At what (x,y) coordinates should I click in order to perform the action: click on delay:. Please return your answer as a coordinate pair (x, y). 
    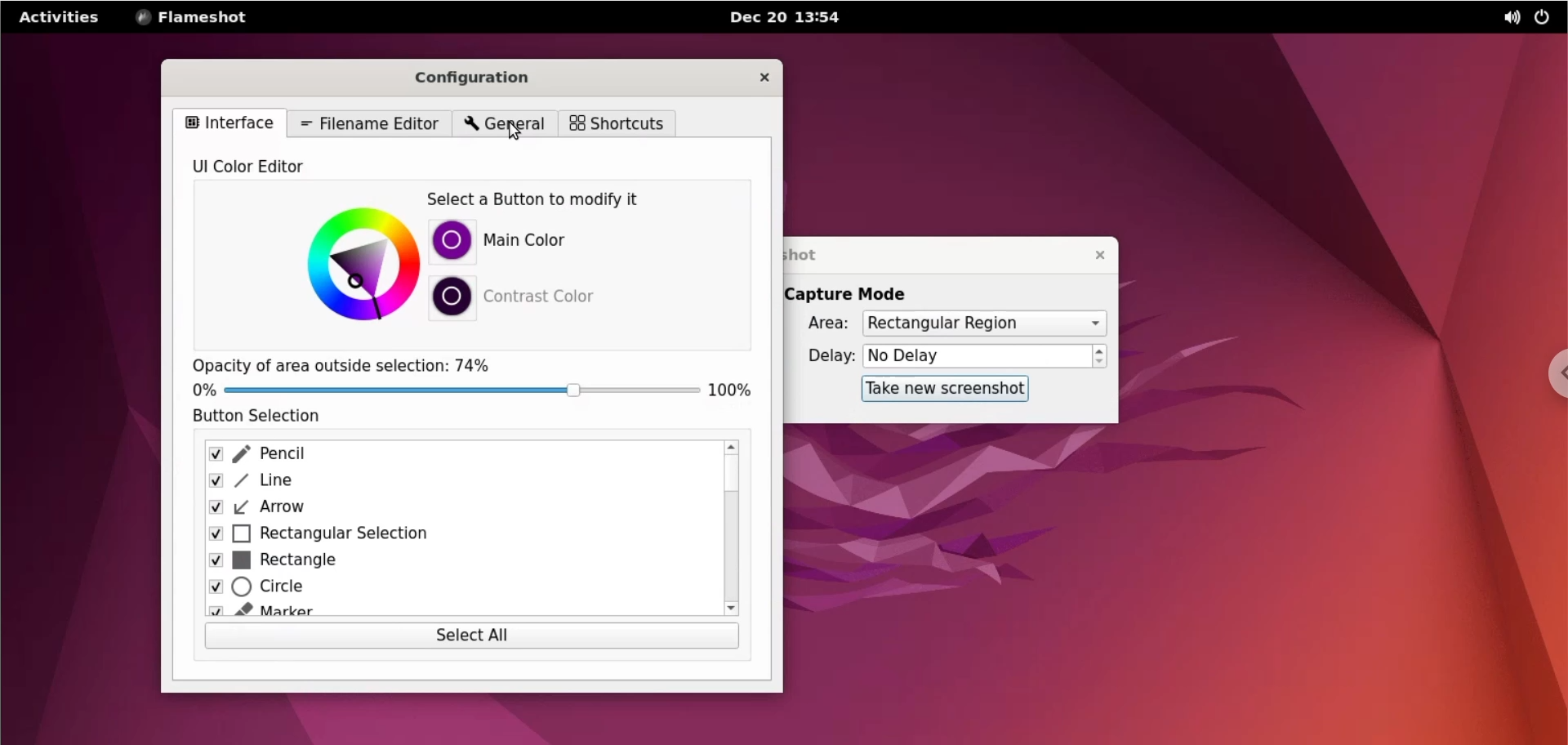
    Looking at the image, I should click on (822, 355).